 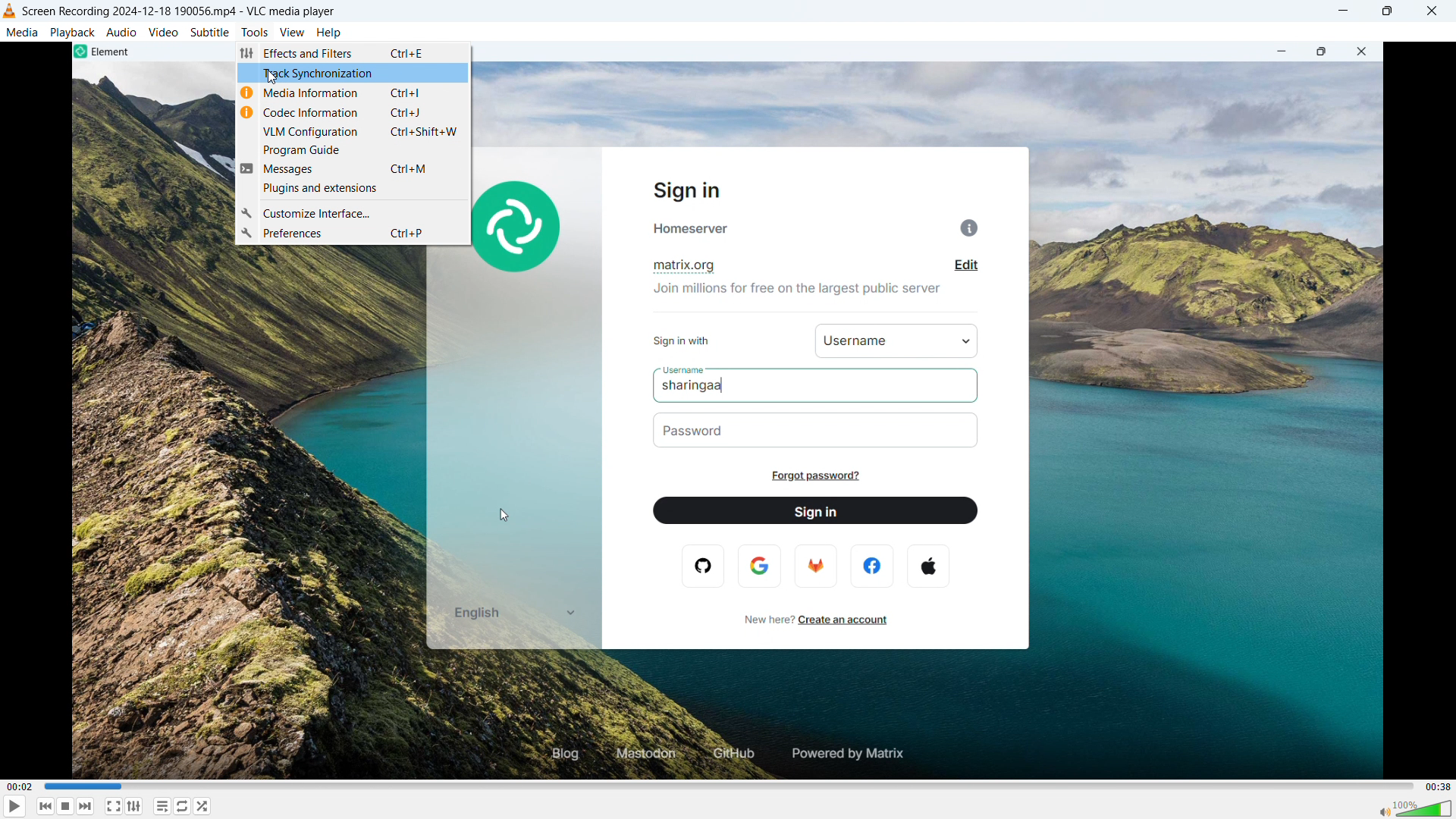 What do you see at coordinates (761, 565) in the screenshot?
I see `google logo` at bounding box center [761, 565].